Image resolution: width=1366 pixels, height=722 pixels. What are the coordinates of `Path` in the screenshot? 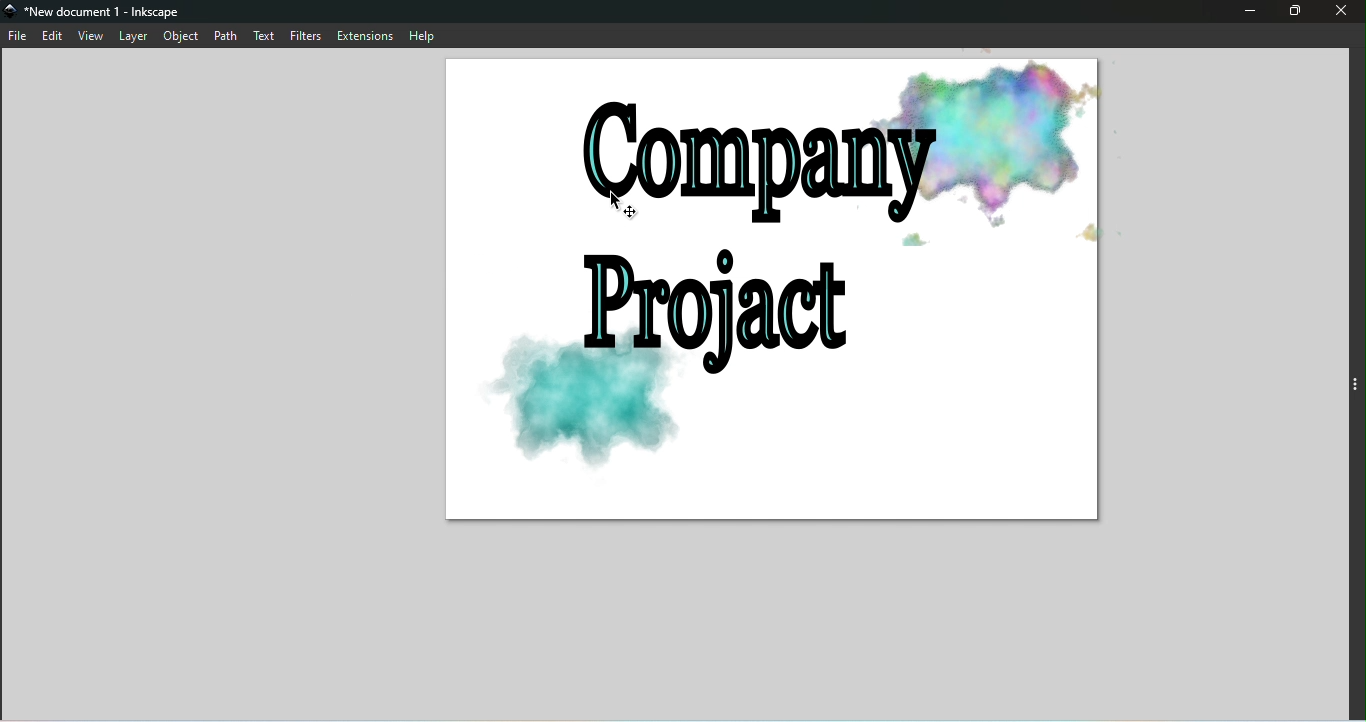 It's located at (225, 35).